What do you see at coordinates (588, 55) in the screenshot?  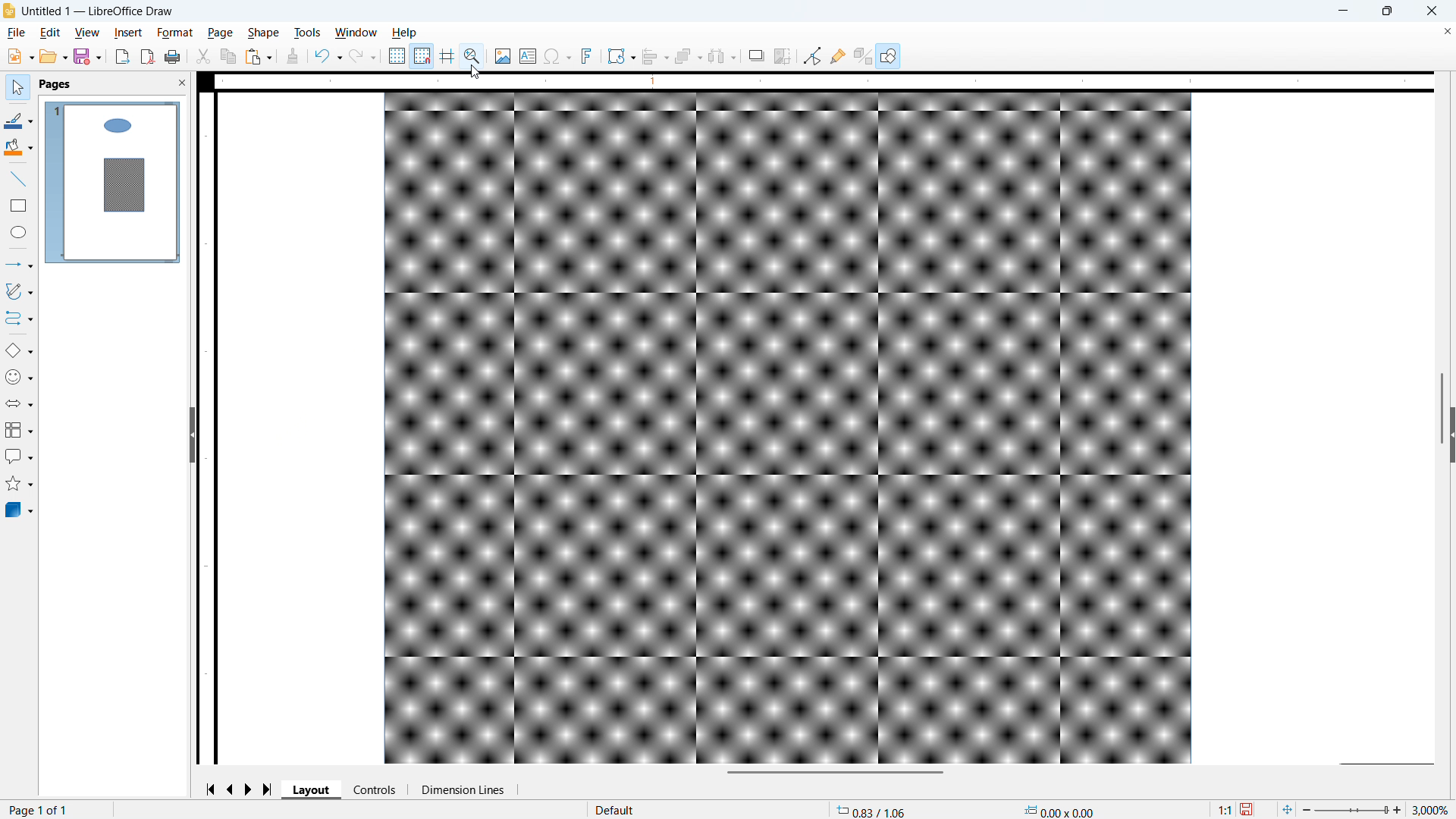 I see `Insert font work text ` at bounding box center [588, 55].